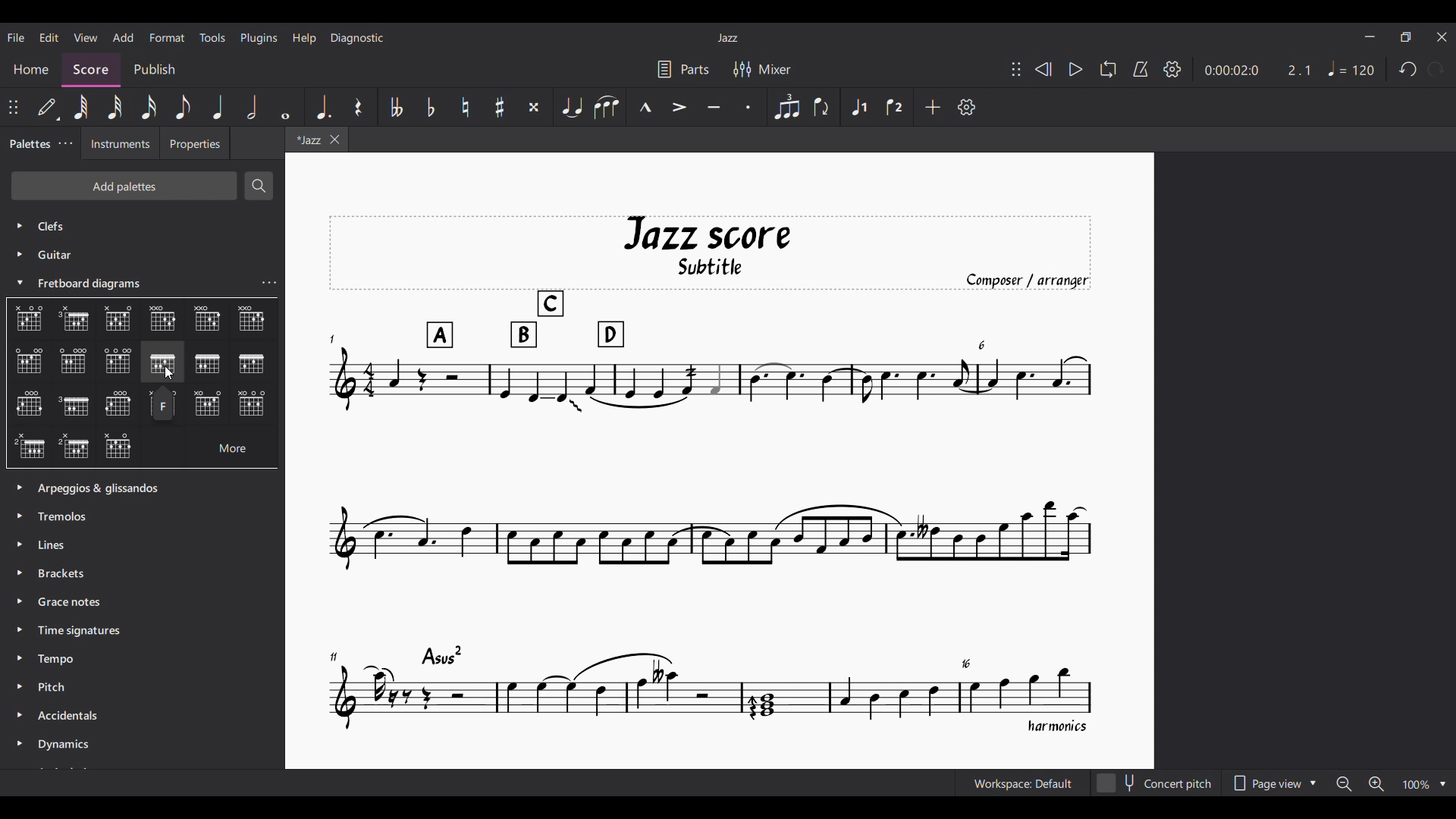  Describe the element at coordinates (1370, 36) in the screenshot. I see `Minimize` at that location.